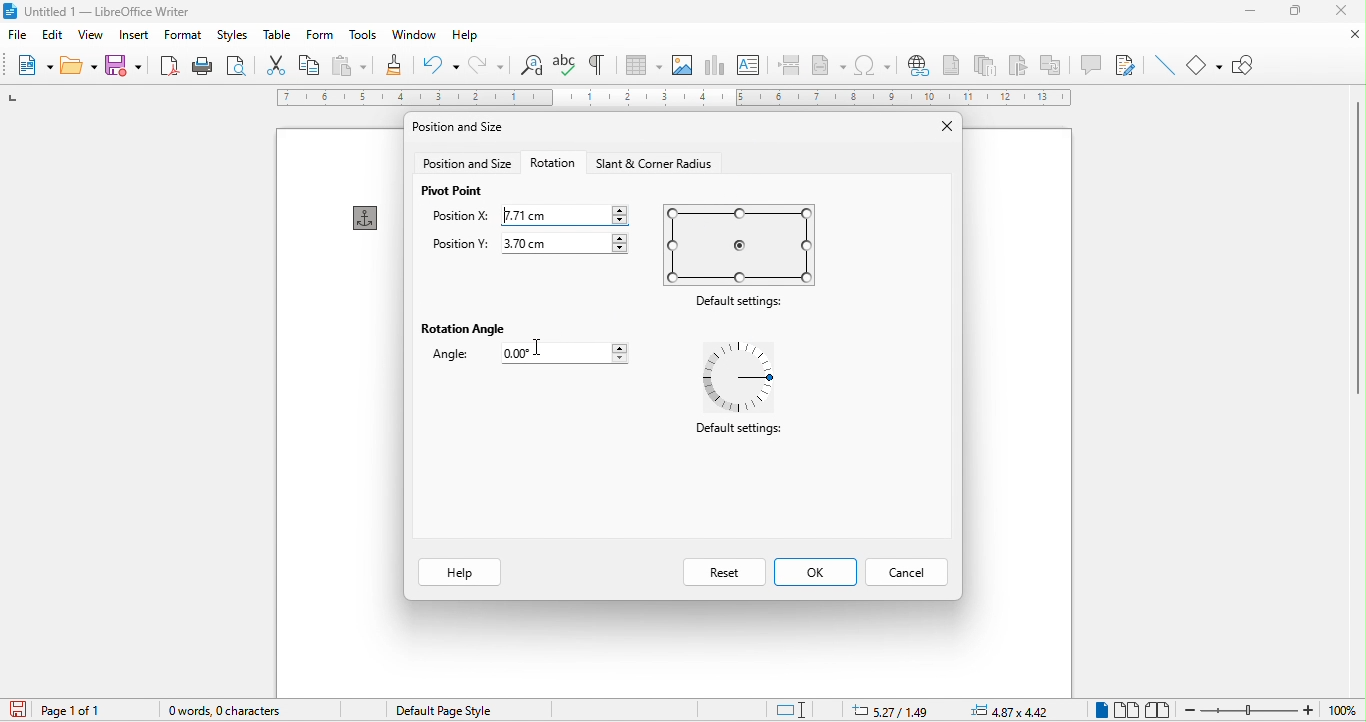  What do you see at coordinates (875, 66) in the screenshot?
I see `special character` at bounding box center [875, 66].